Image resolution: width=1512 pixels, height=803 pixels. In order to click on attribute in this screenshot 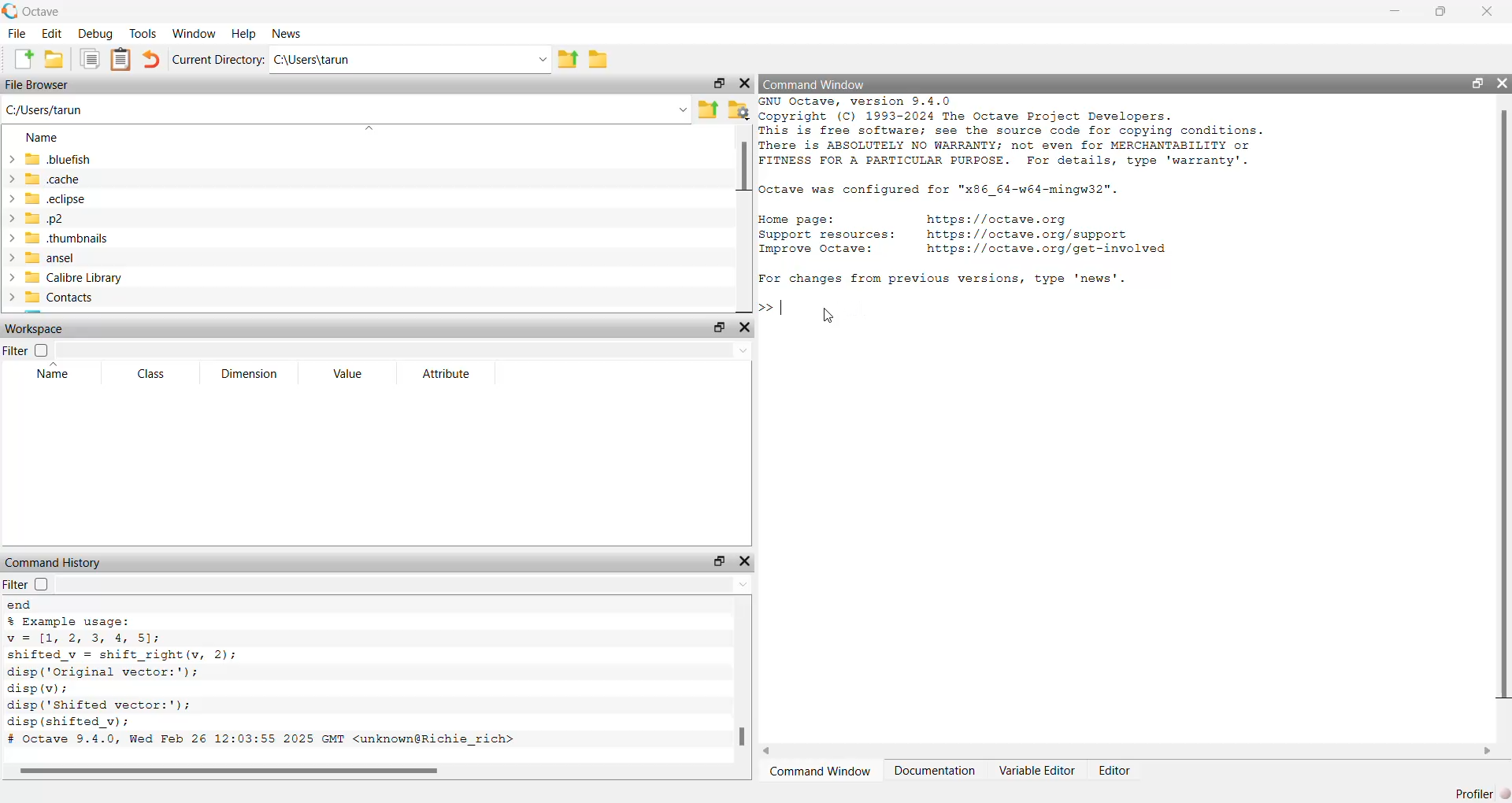, I will do `click(444, 376)`.